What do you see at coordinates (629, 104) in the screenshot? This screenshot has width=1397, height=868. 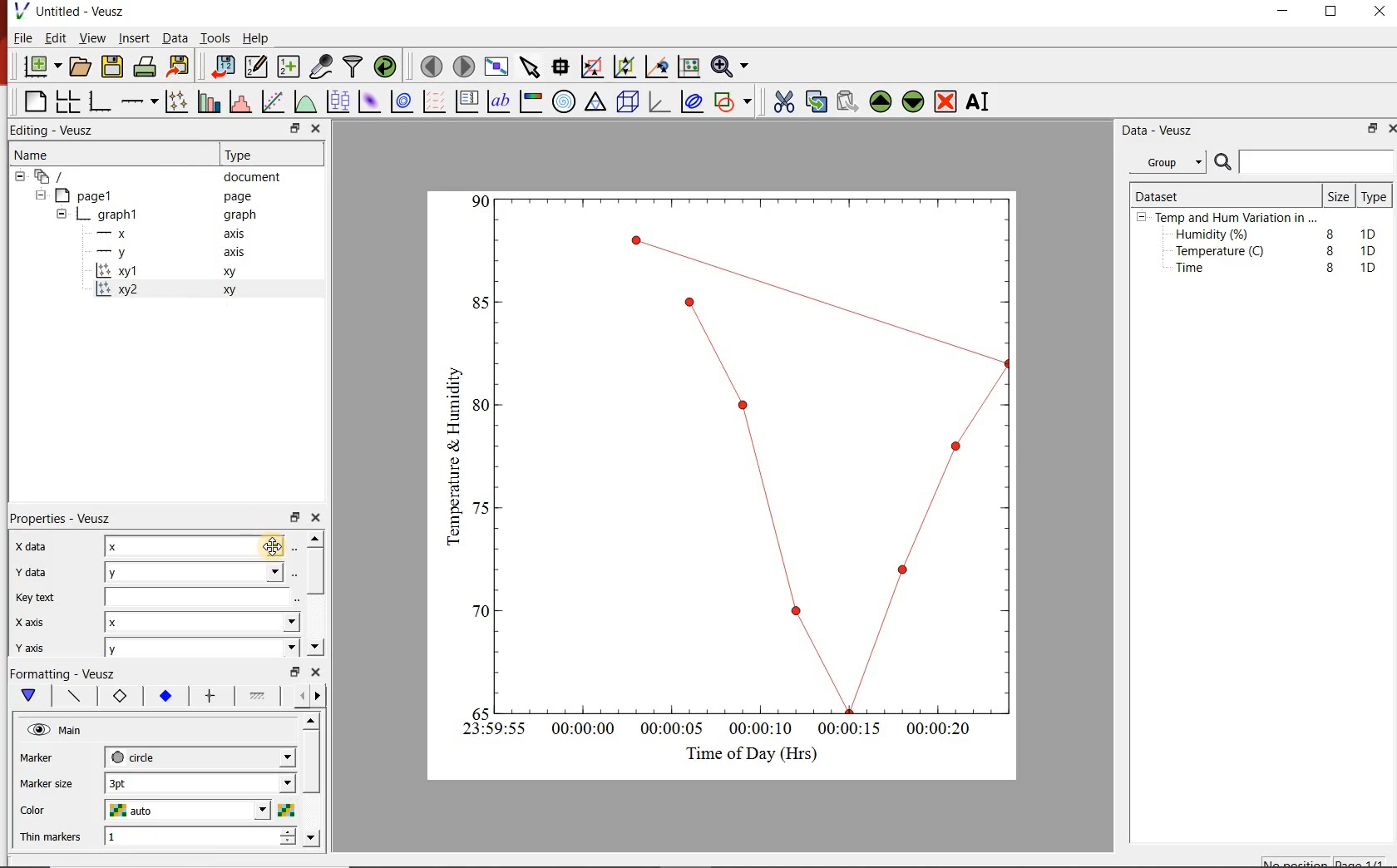 I see `3d scene` at bounding box center [629, 104].